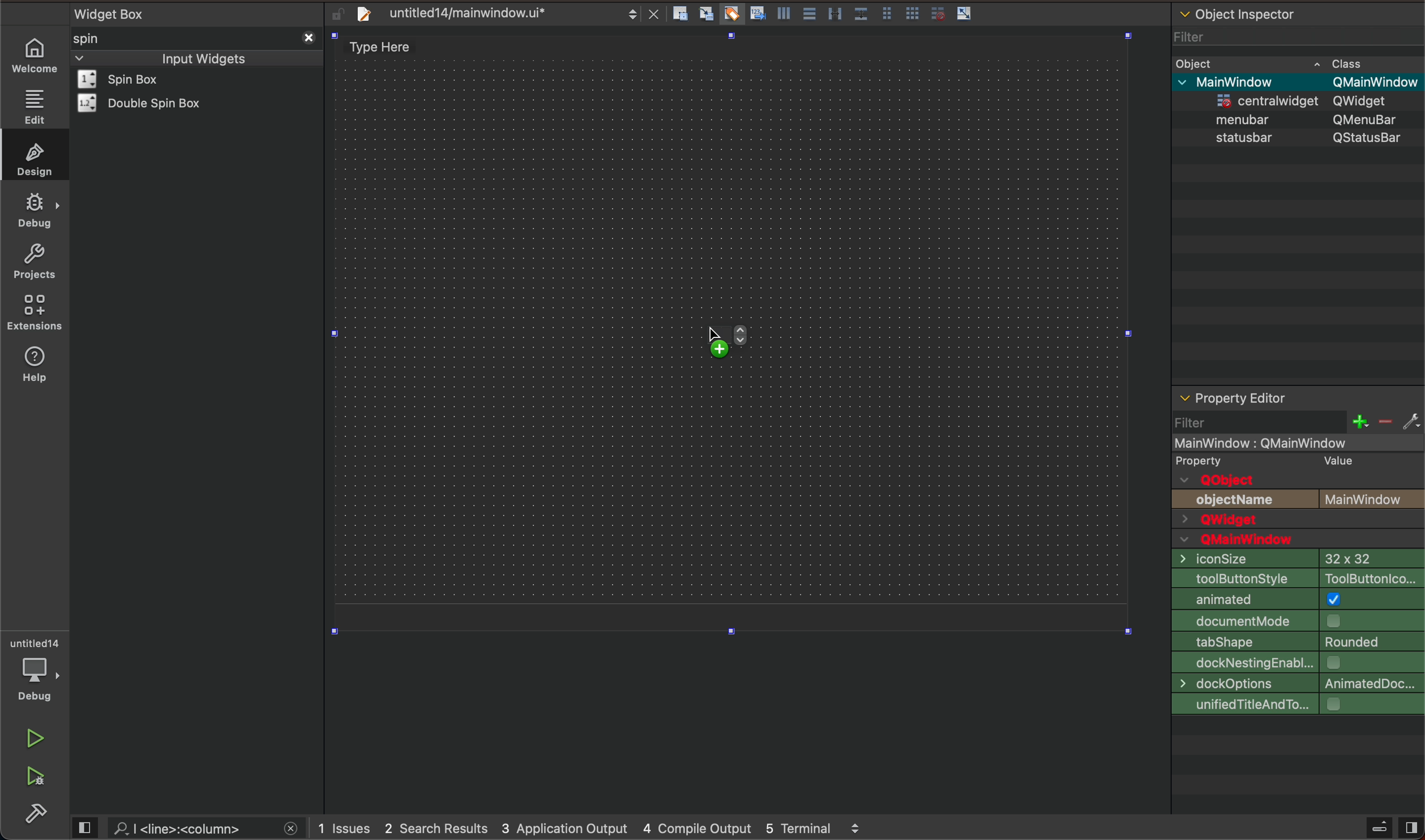 The image size is (1425, 840). I want to click on , so click(1265, 98).